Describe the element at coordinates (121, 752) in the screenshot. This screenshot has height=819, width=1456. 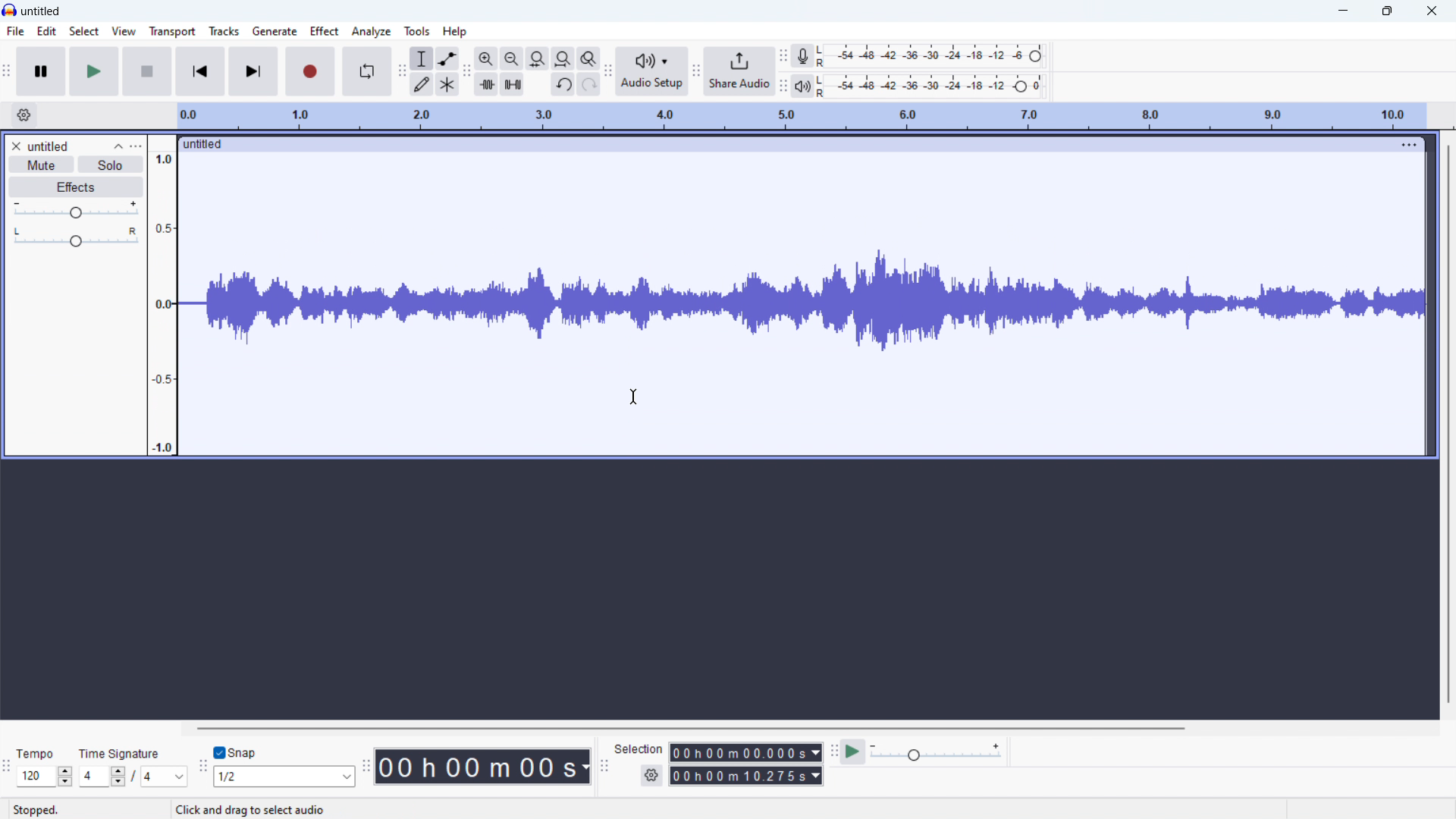
I see `Time signature` at that location.